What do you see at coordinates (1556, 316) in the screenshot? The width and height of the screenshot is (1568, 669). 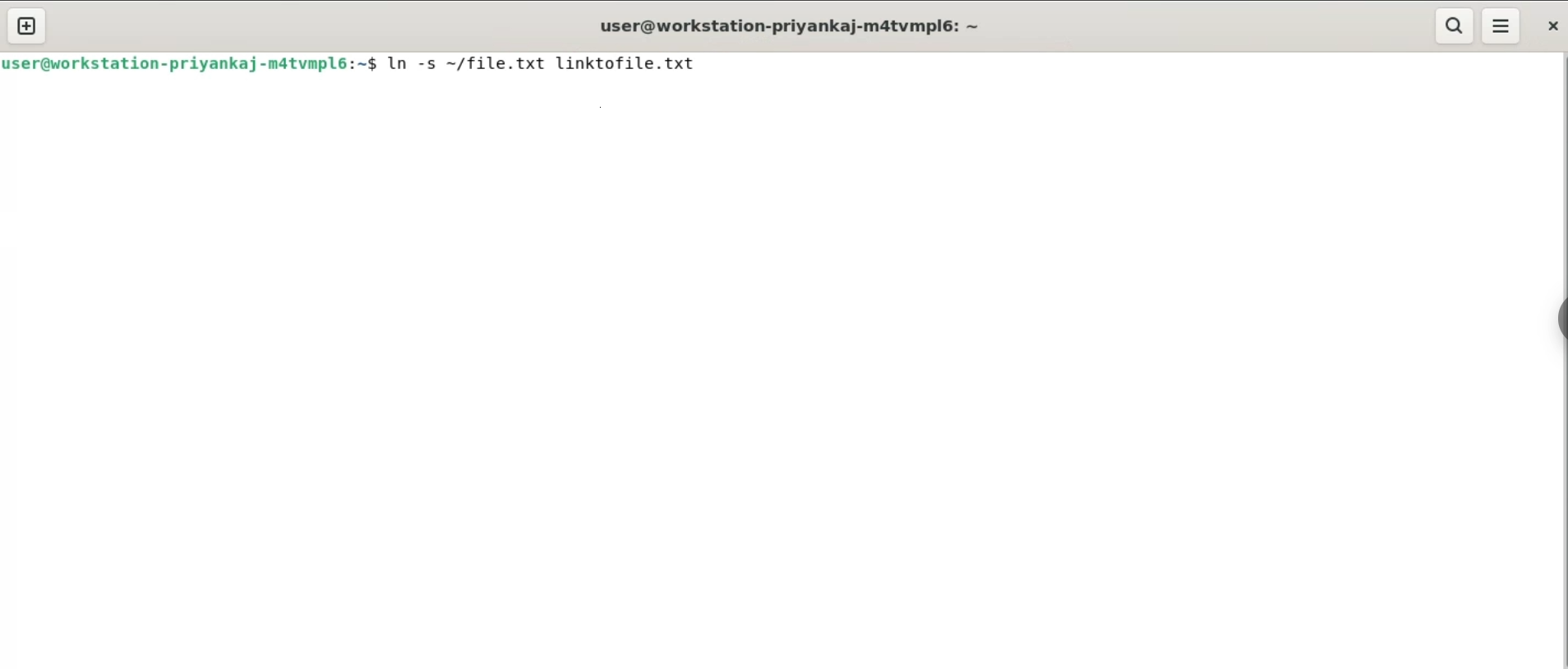 I see `sidebar` at bounding box center [1556, 316].